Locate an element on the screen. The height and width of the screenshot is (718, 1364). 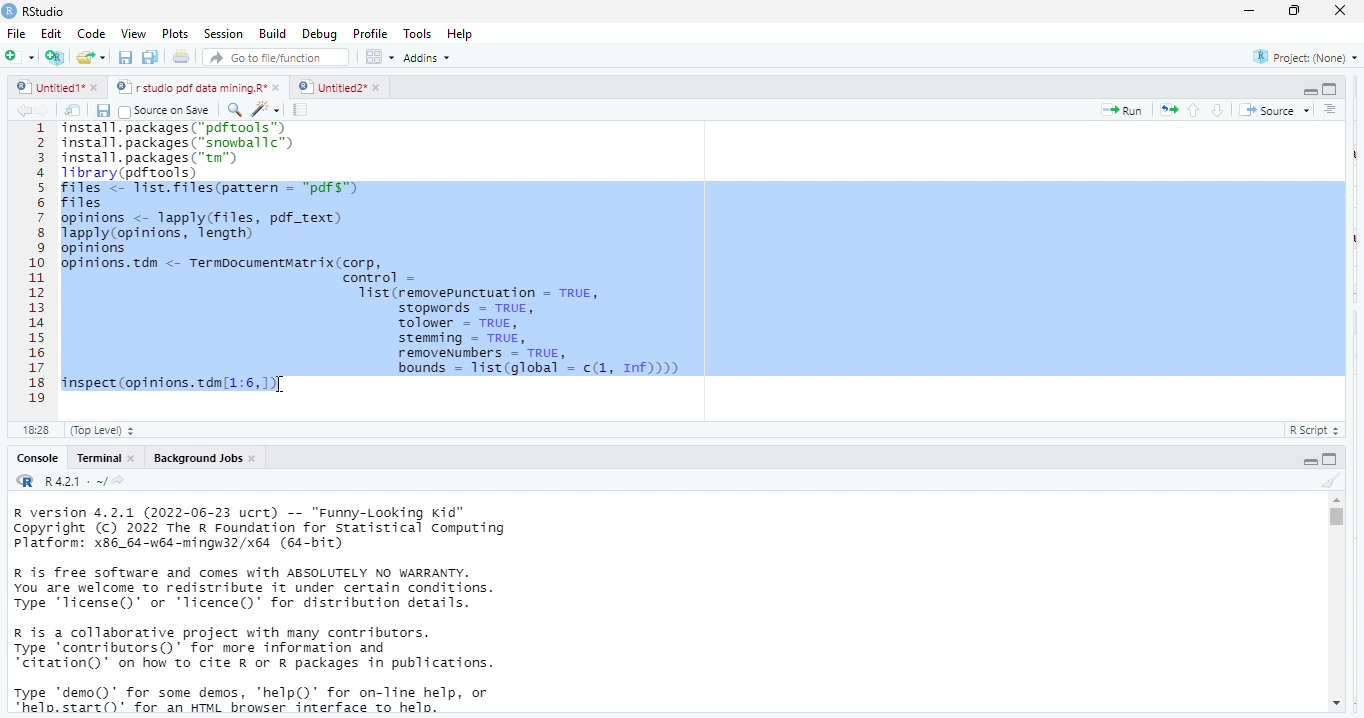
save current is located at coordinates (104, 109).